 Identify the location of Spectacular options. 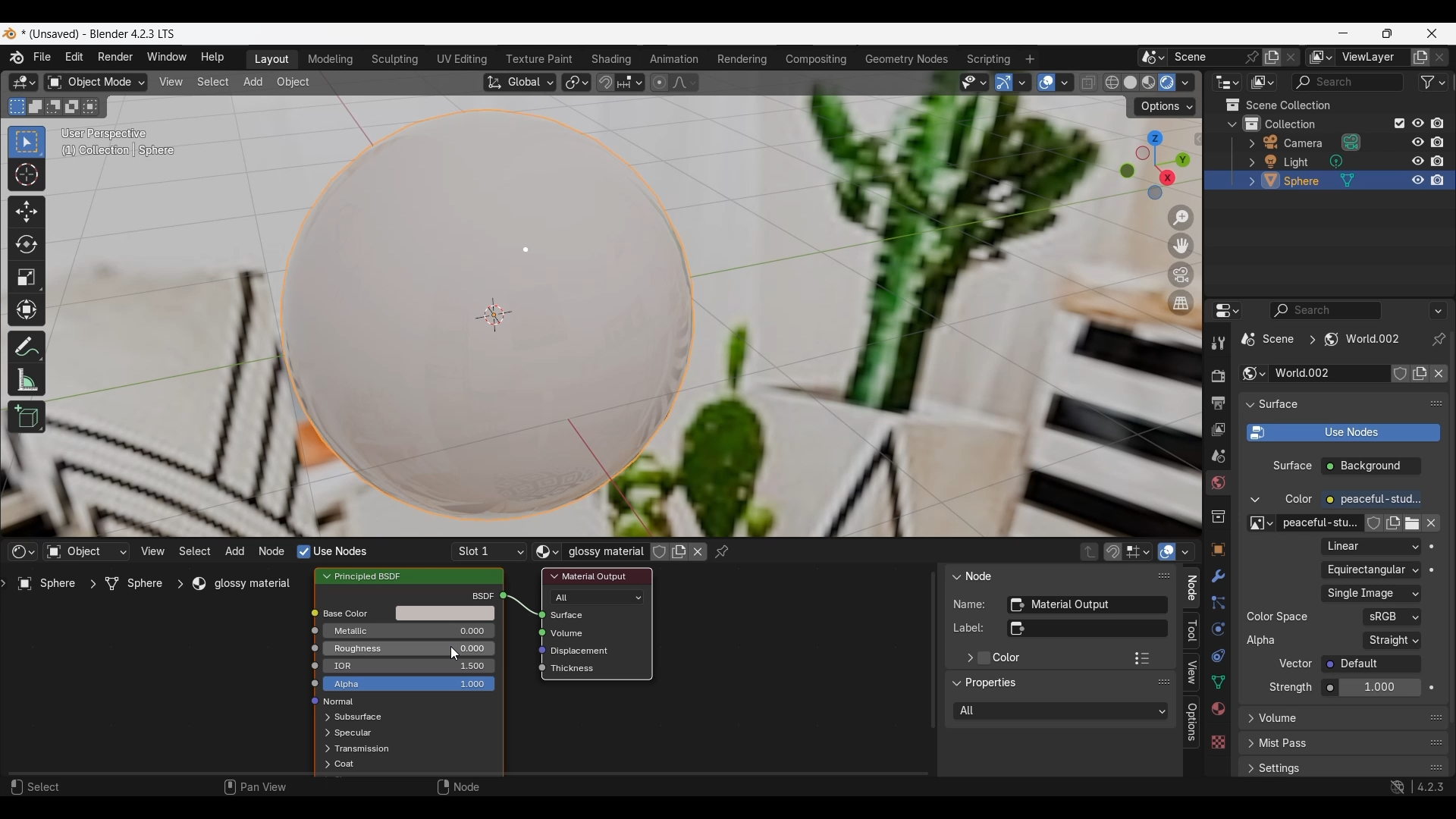
(353, 733).